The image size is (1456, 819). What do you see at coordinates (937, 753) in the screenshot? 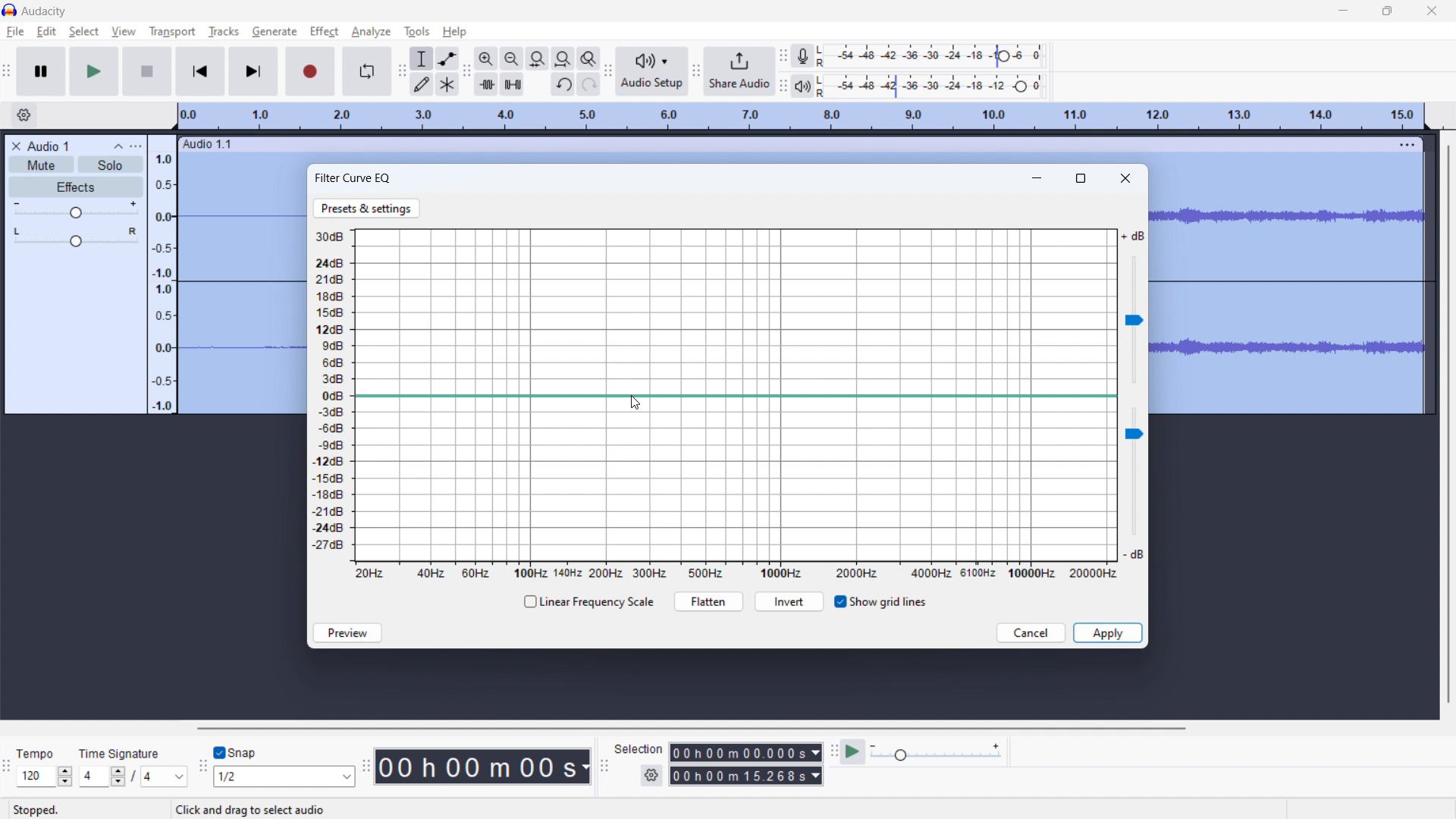
I see `playback speed` at bounding box center [937, 753].